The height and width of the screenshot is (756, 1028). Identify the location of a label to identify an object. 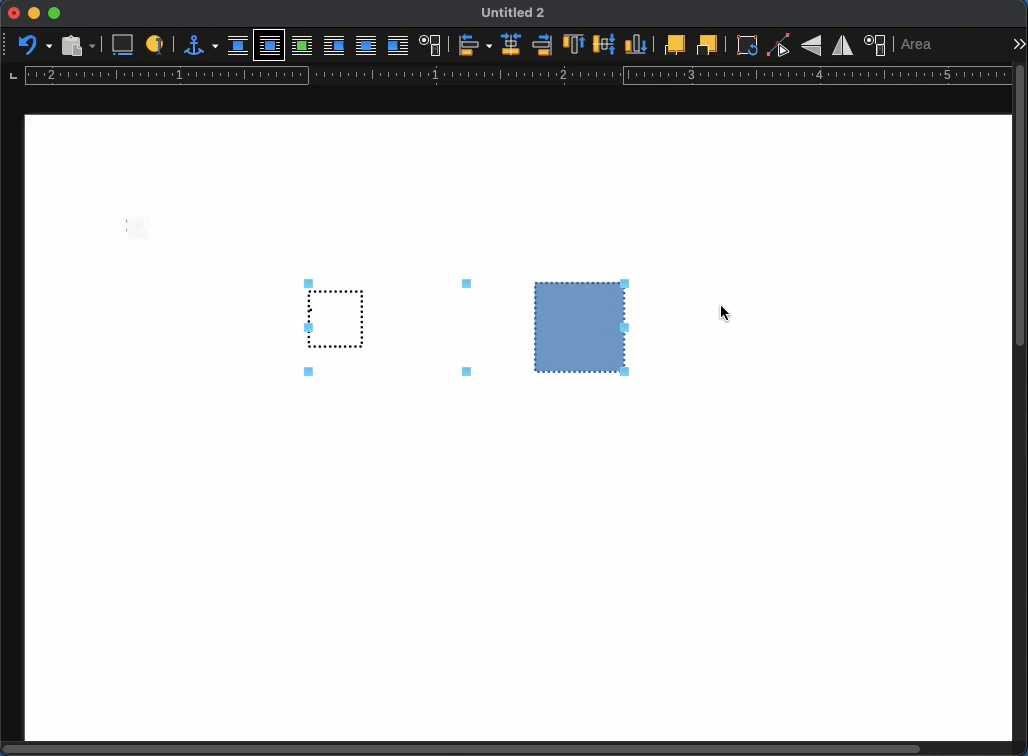
(157, 45).